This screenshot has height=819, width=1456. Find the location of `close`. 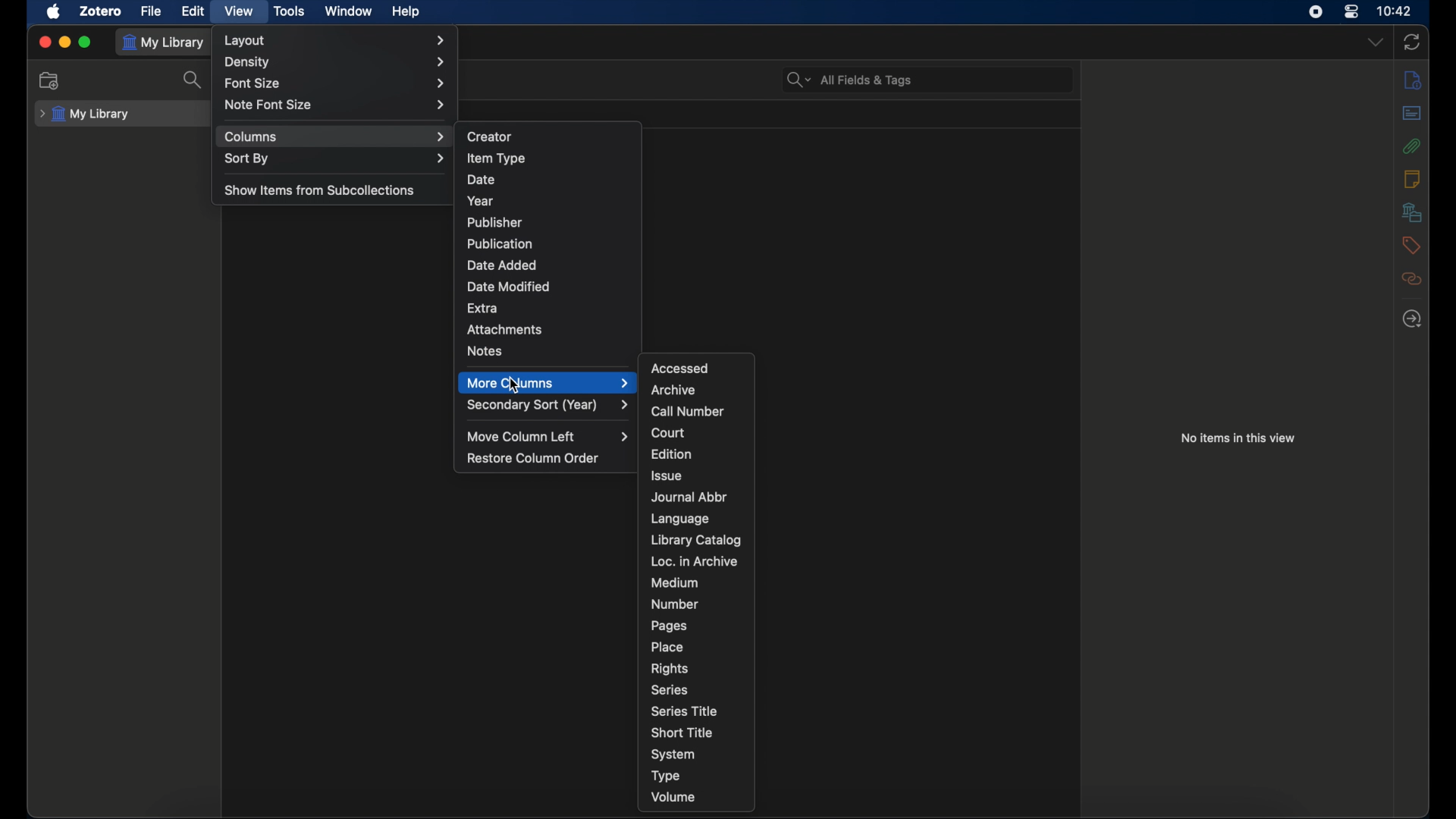

close is located at coordinates (44, 42).